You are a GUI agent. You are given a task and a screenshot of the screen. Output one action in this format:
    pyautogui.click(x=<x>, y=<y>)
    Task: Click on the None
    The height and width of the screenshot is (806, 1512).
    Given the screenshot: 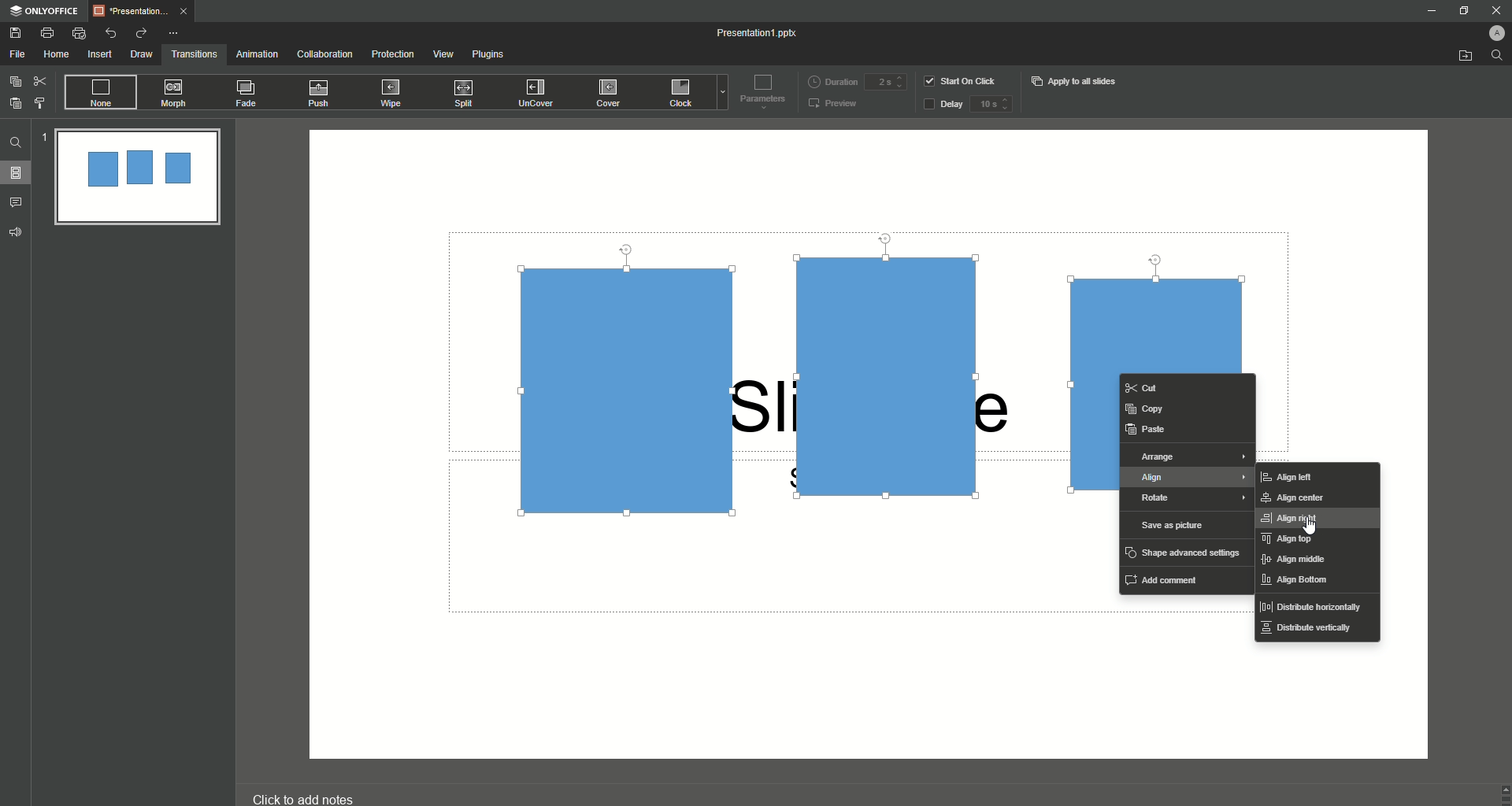 What is the action you would take?
    pyautogui.click(x=99, y=93)
    